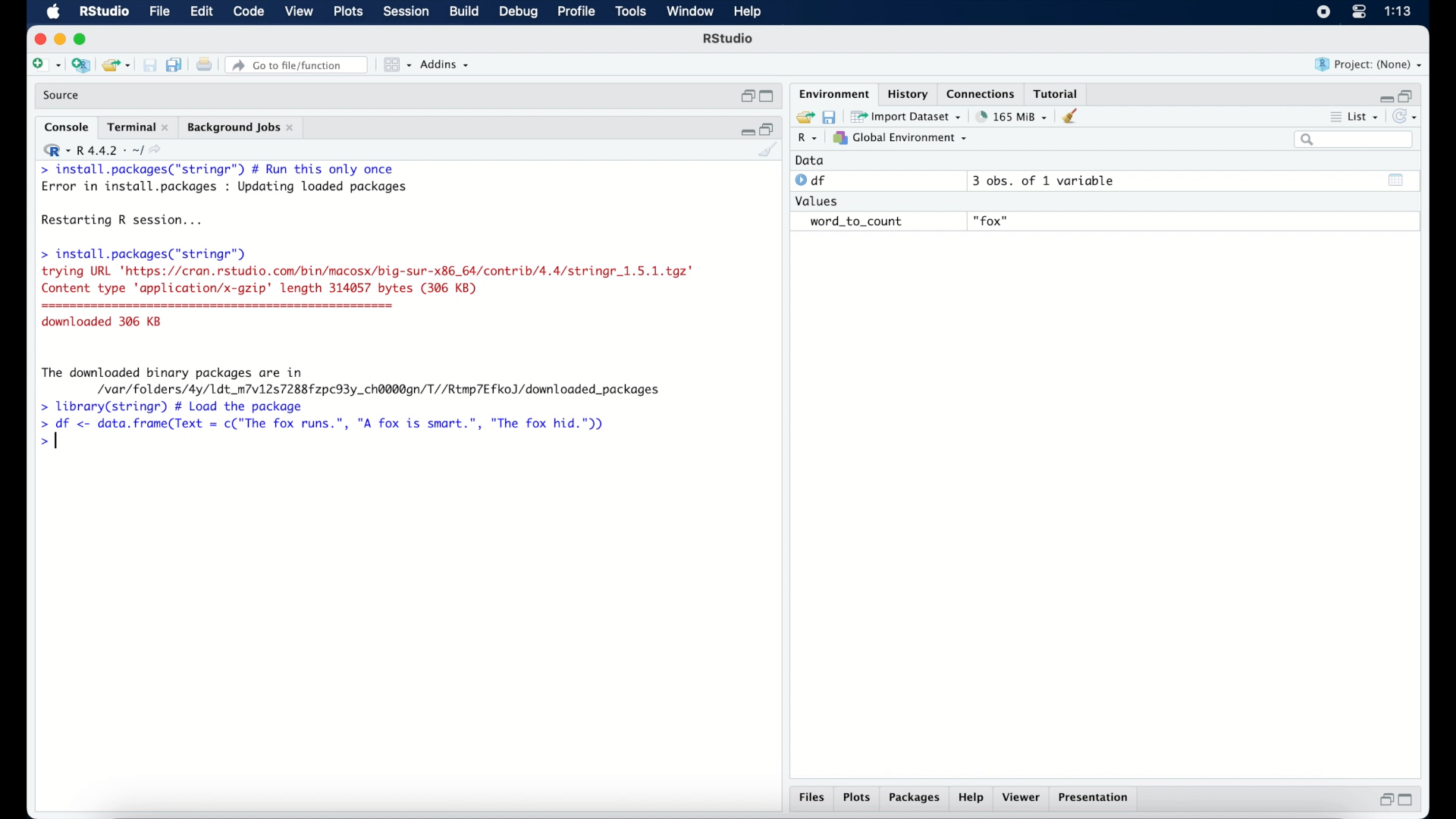  Describe the element at coordinates (1369, 64) in the screenshot. I see `project (none)` at that location.